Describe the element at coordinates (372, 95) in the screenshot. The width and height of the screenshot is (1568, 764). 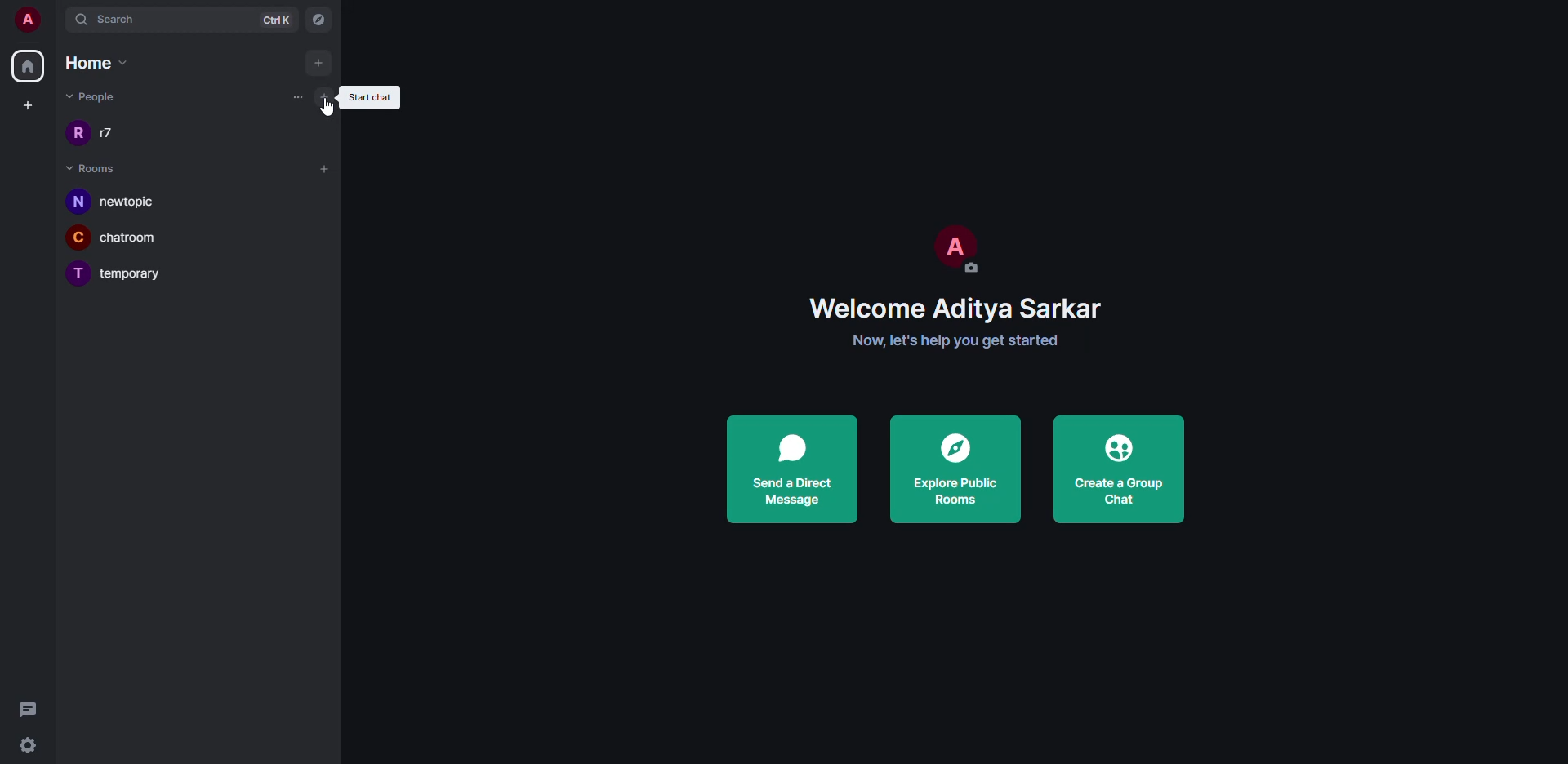
I see `start chat` at that location.